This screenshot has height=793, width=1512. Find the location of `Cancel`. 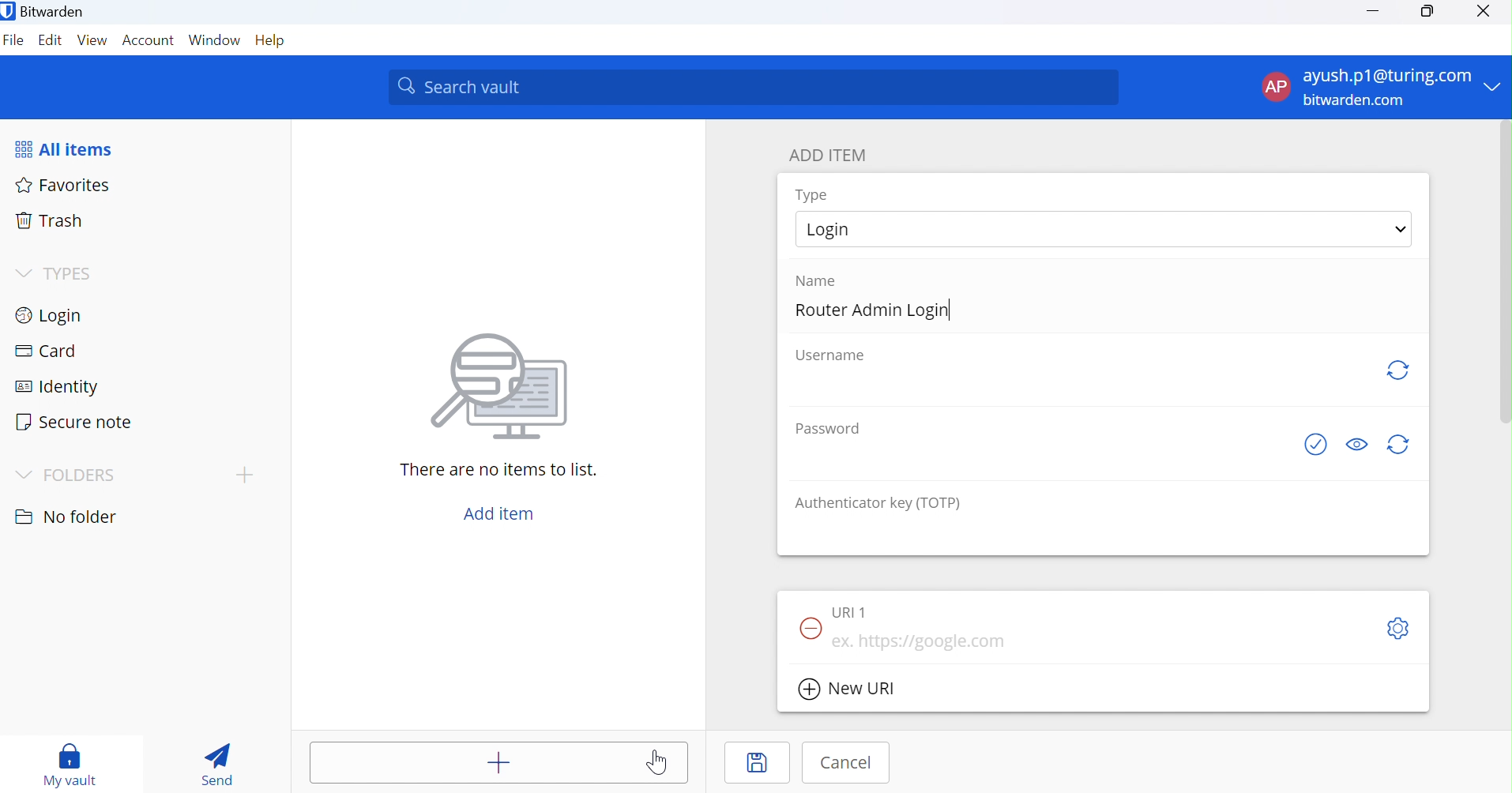

Cancel is located at coordinates (846, 763).